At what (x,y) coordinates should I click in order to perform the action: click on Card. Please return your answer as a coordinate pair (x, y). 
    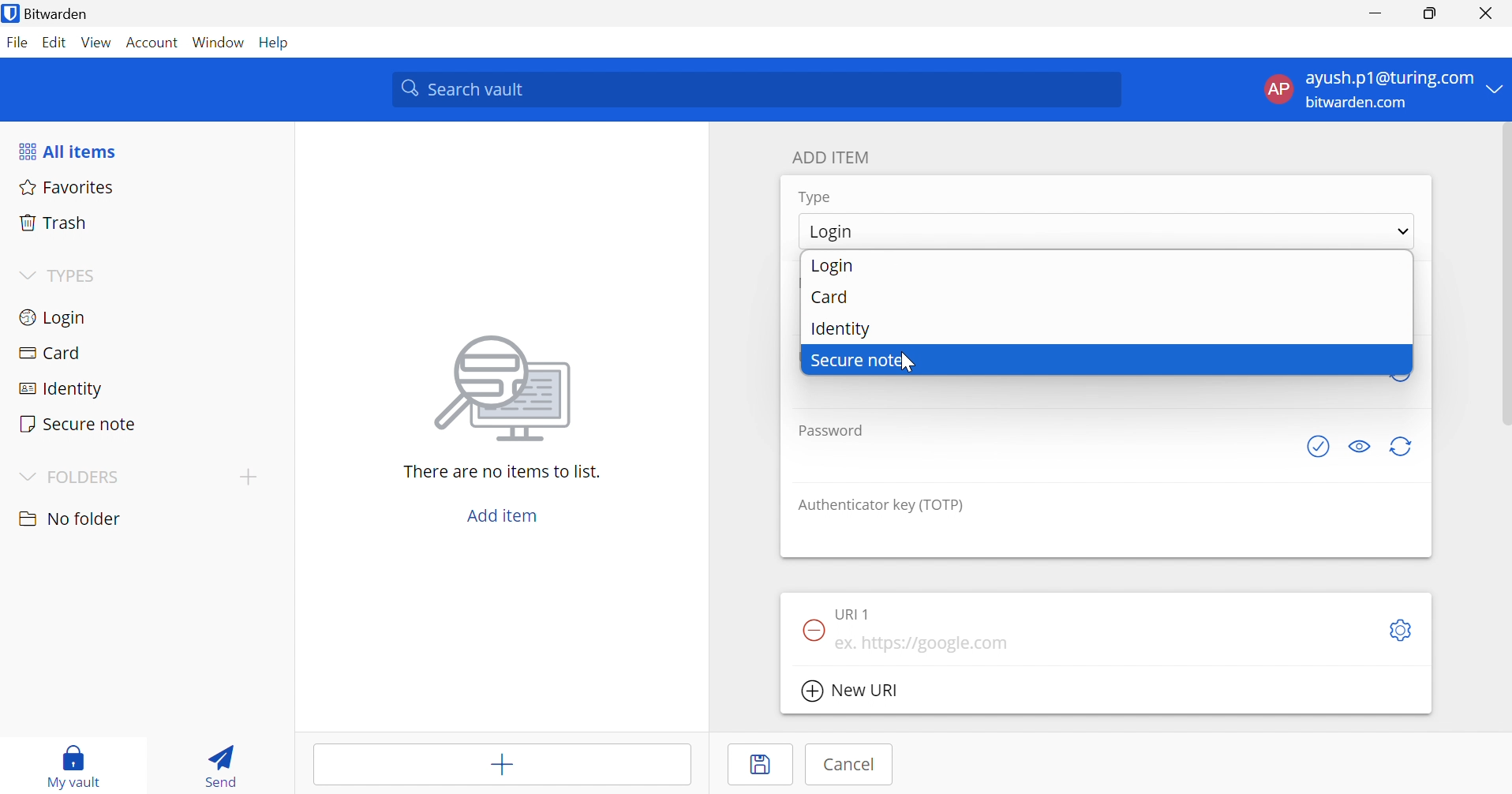
    Looking at the image, I should click on (54, 353).